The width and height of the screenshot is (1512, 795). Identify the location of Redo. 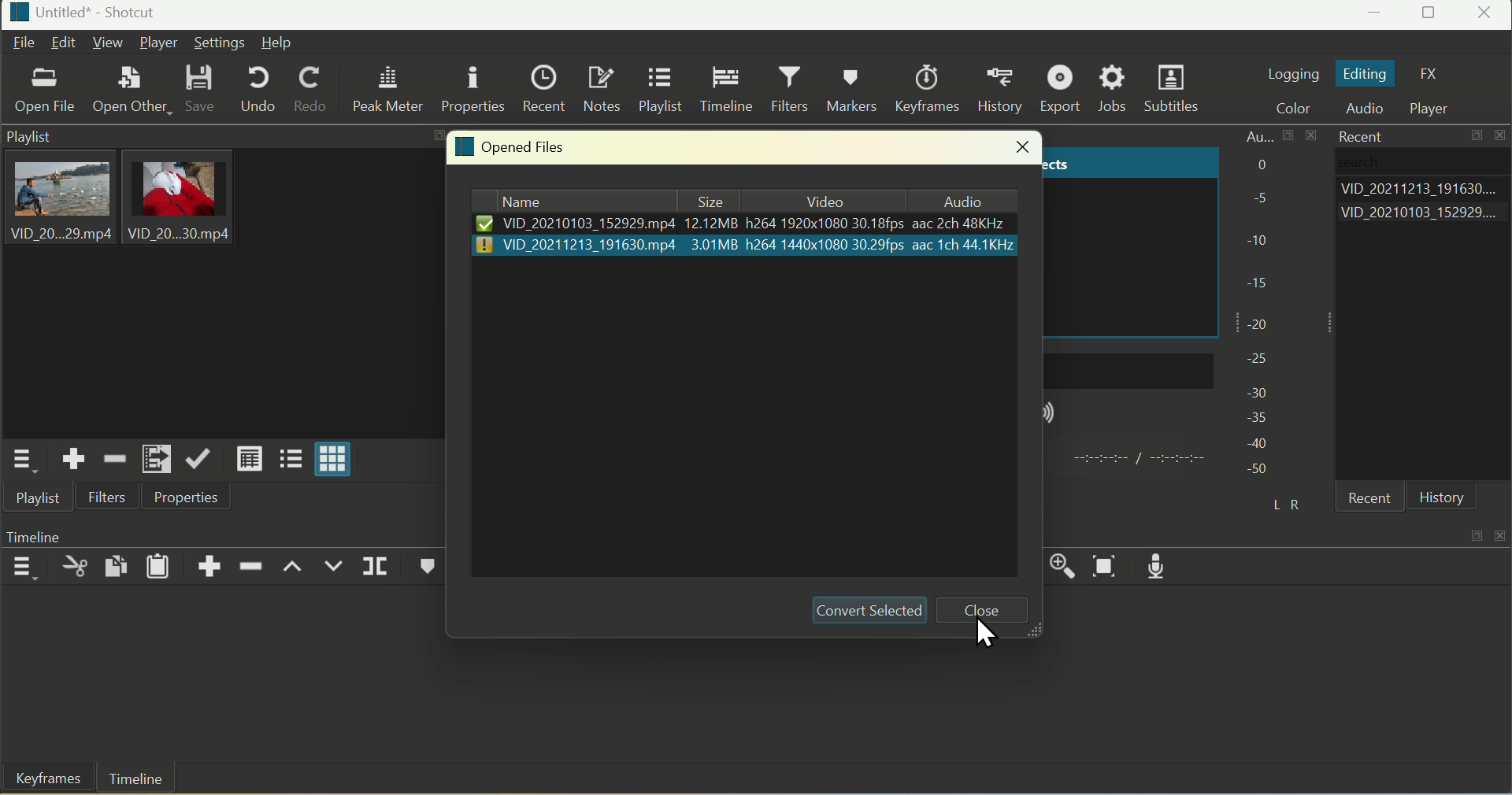
(311, 91).